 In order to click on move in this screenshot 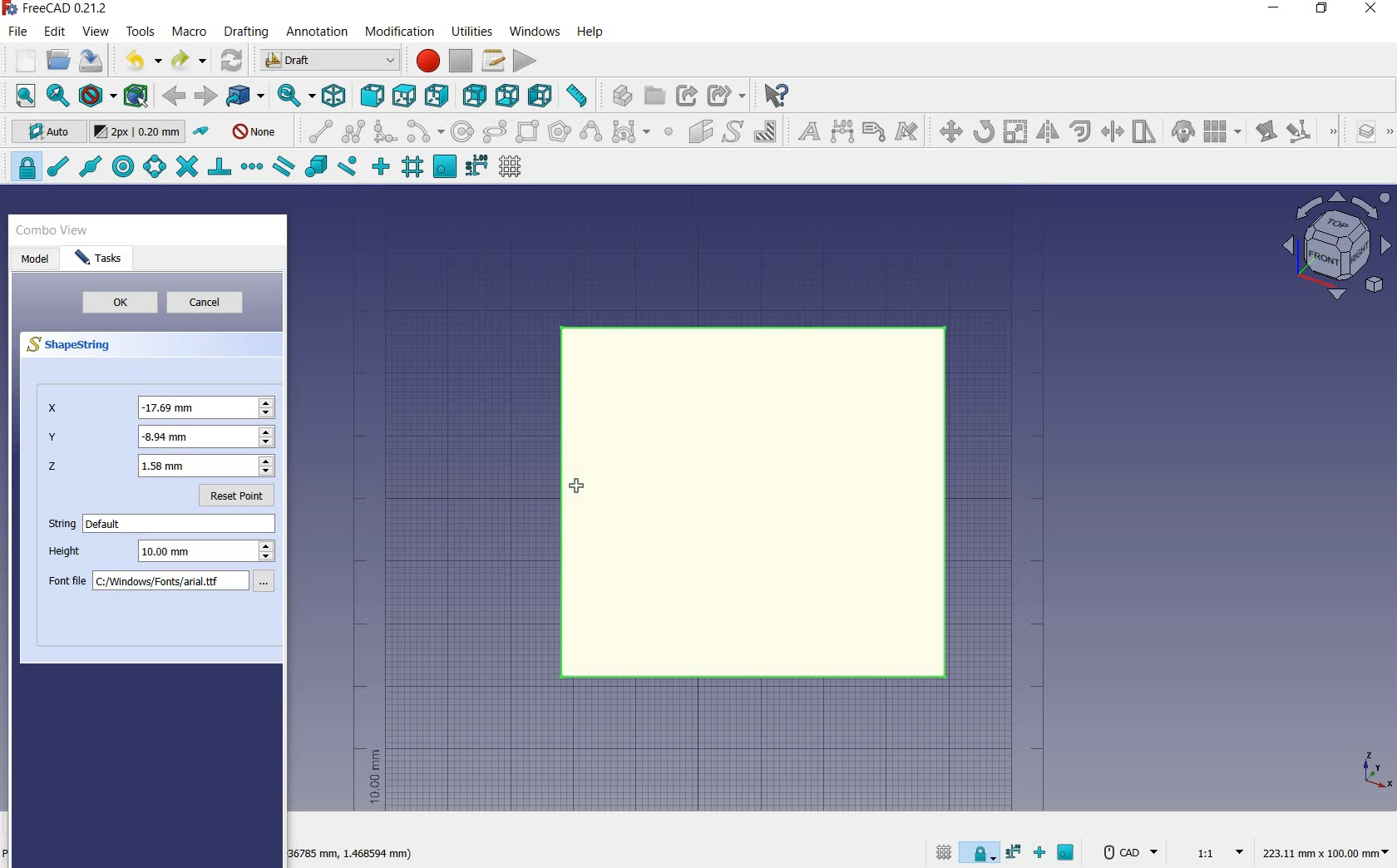, I will do `click(946, 131)`.